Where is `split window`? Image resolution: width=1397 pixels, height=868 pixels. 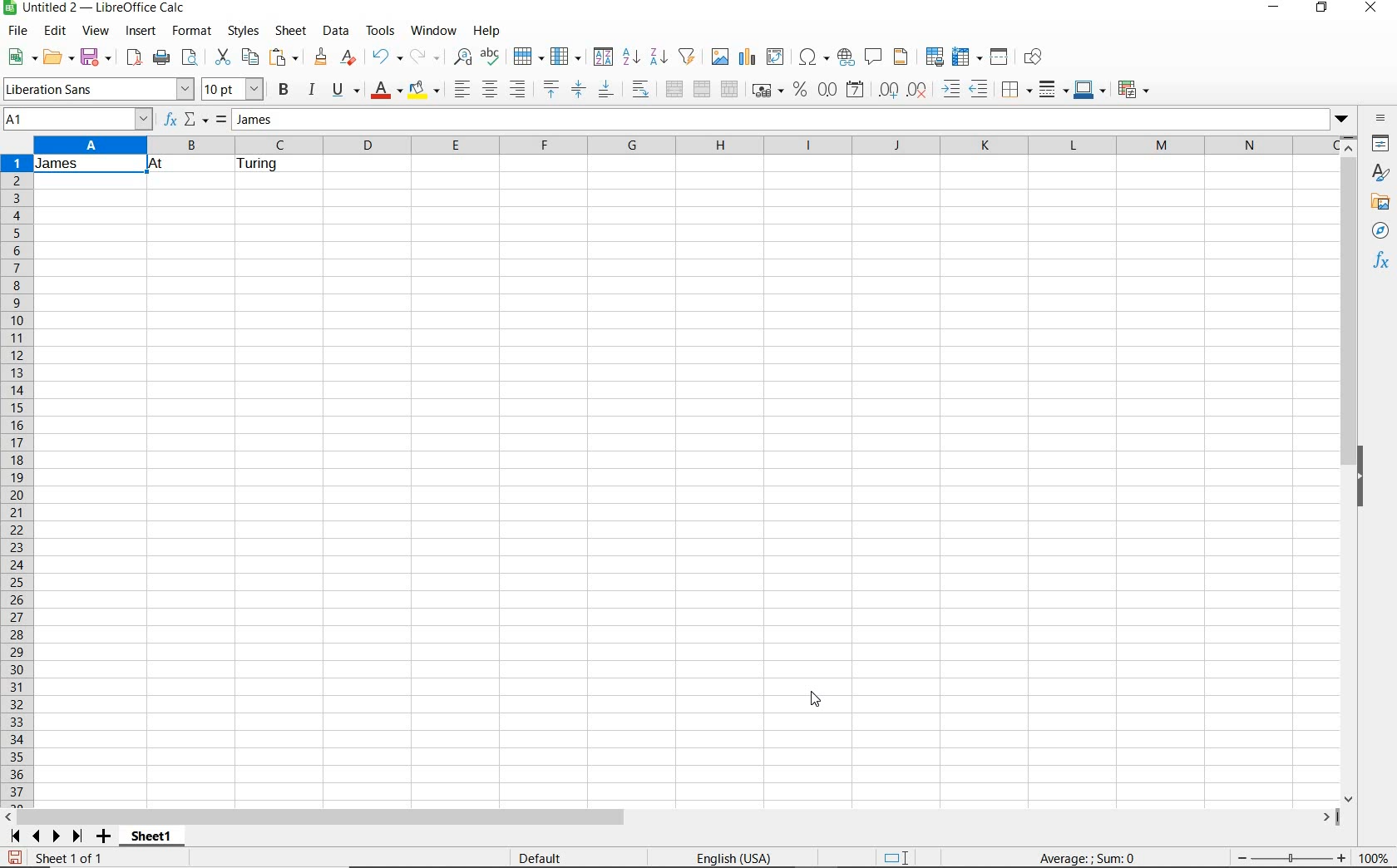 split window is located at coordinates (1000, 57).